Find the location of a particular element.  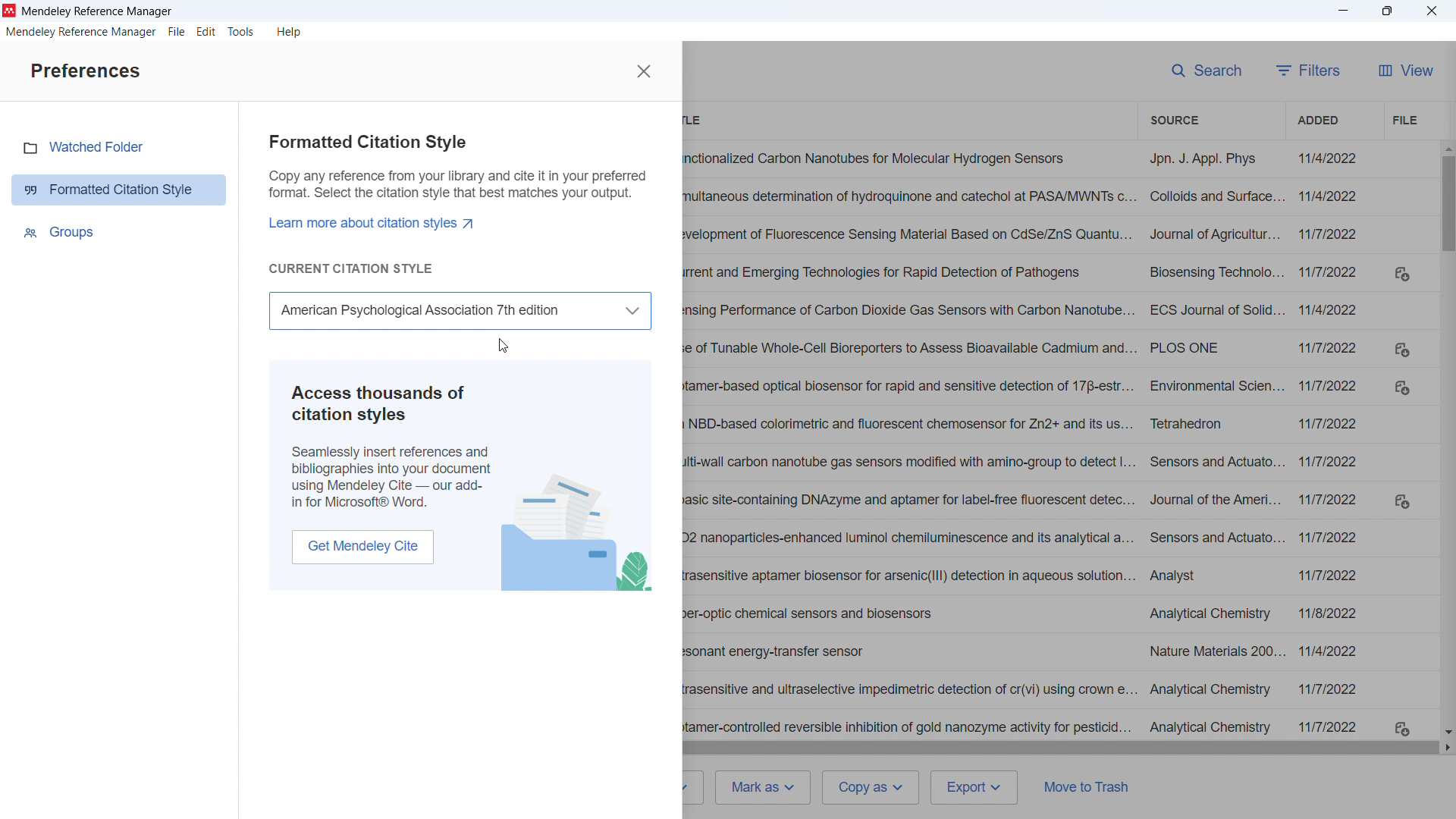

Help tip on accessing thousands of citation styles is located at coordinates (393, 447).